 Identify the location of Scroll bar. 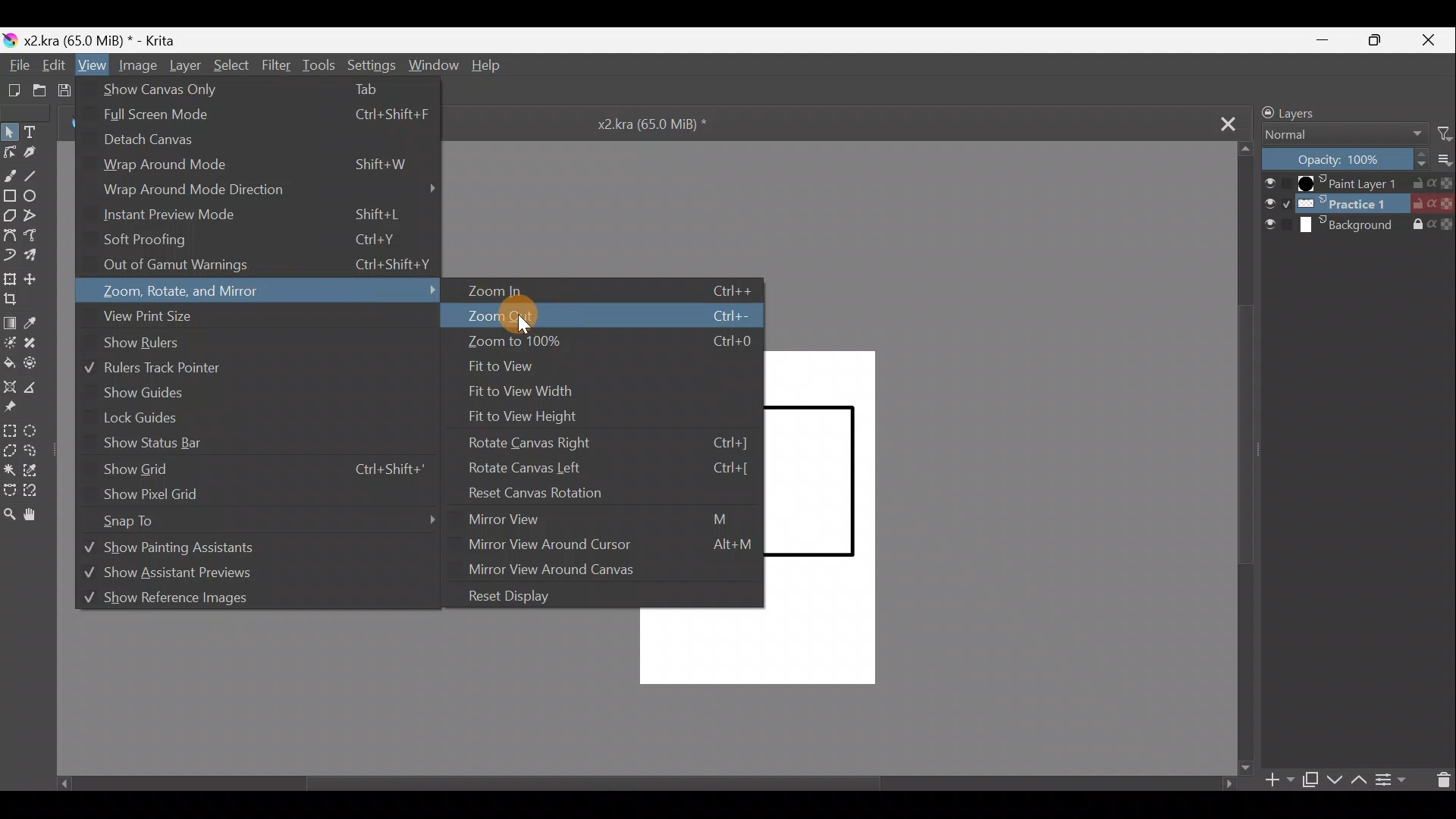
(1245, 460).